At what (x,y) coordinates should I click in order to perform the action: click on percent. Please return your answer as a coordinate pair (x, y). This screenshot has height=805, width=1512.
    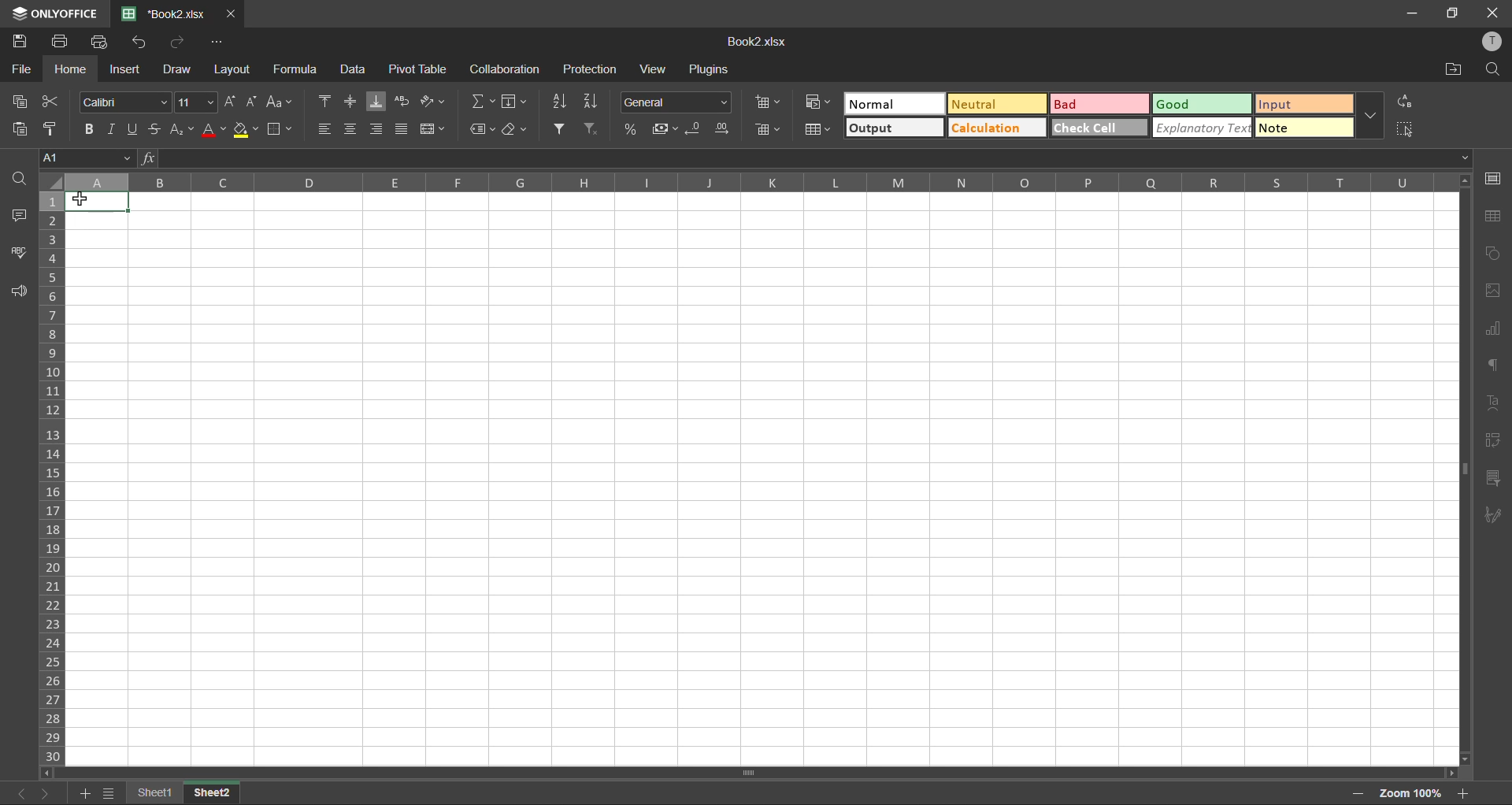
    Looking at the image, I should click on (632, 128).